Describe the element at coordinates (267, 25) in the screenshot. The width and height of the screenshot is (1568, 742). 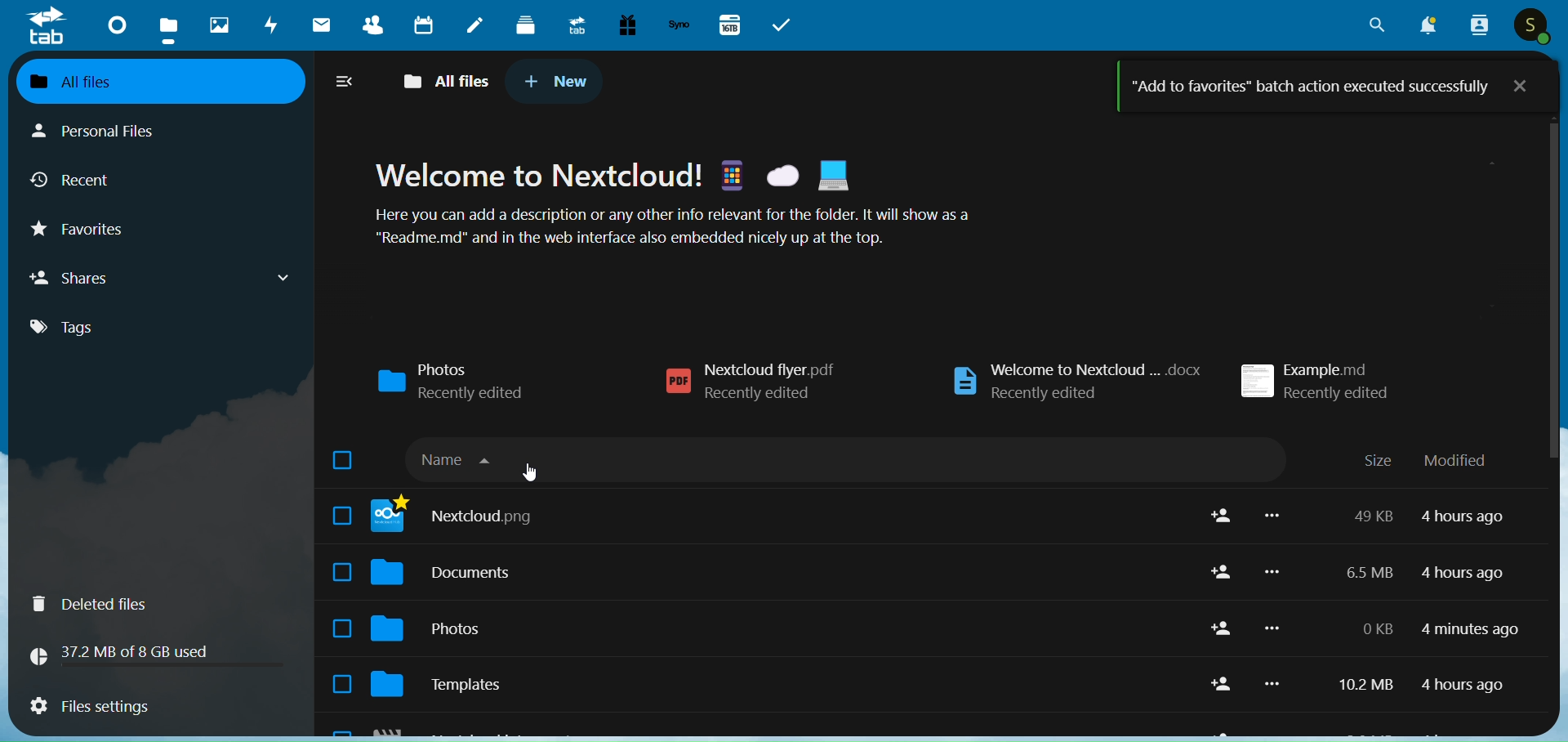
I see `activity` at that location.